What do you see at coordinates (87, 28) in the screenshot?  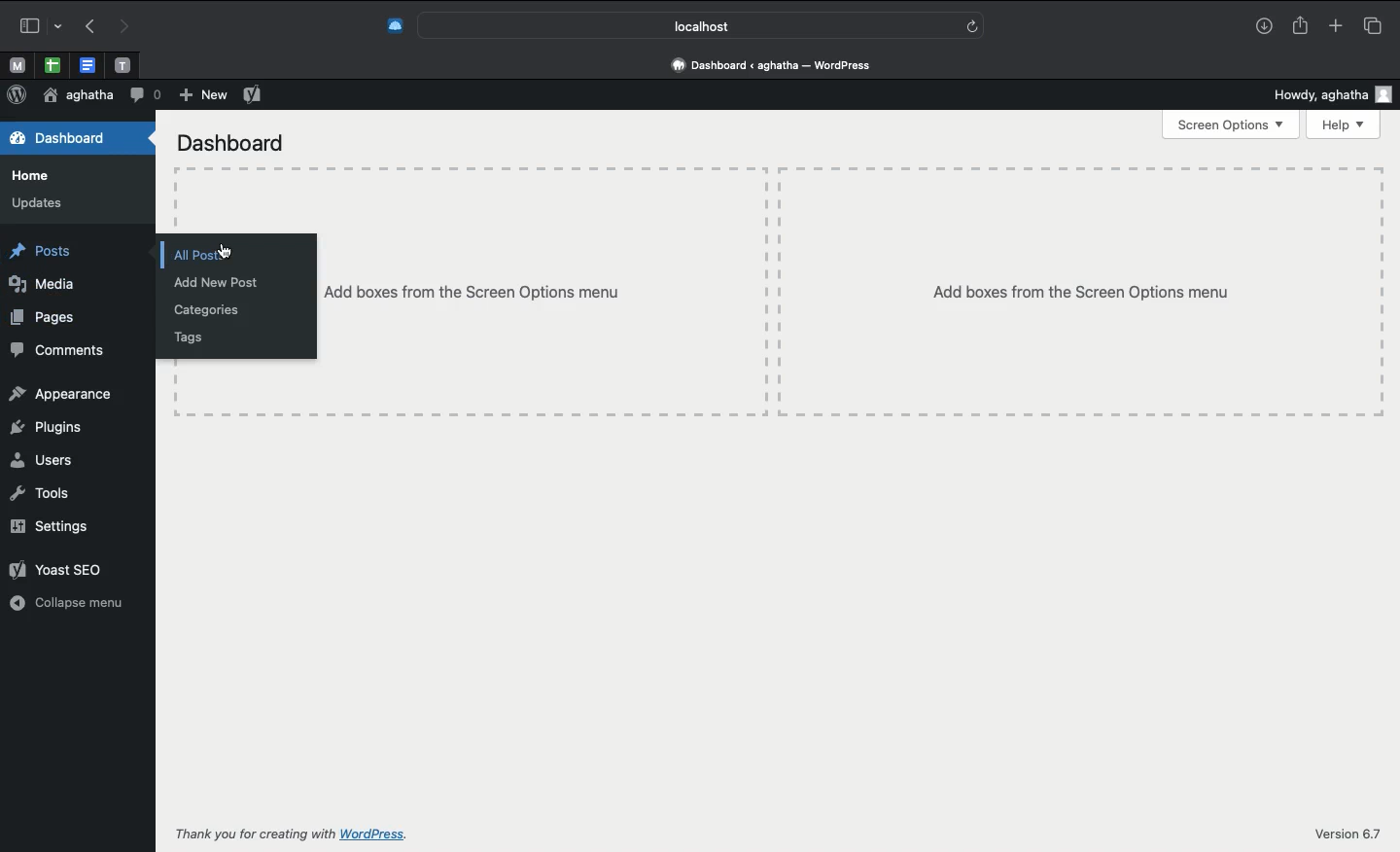 I see `Previous page` at bounding box center [87, 28].